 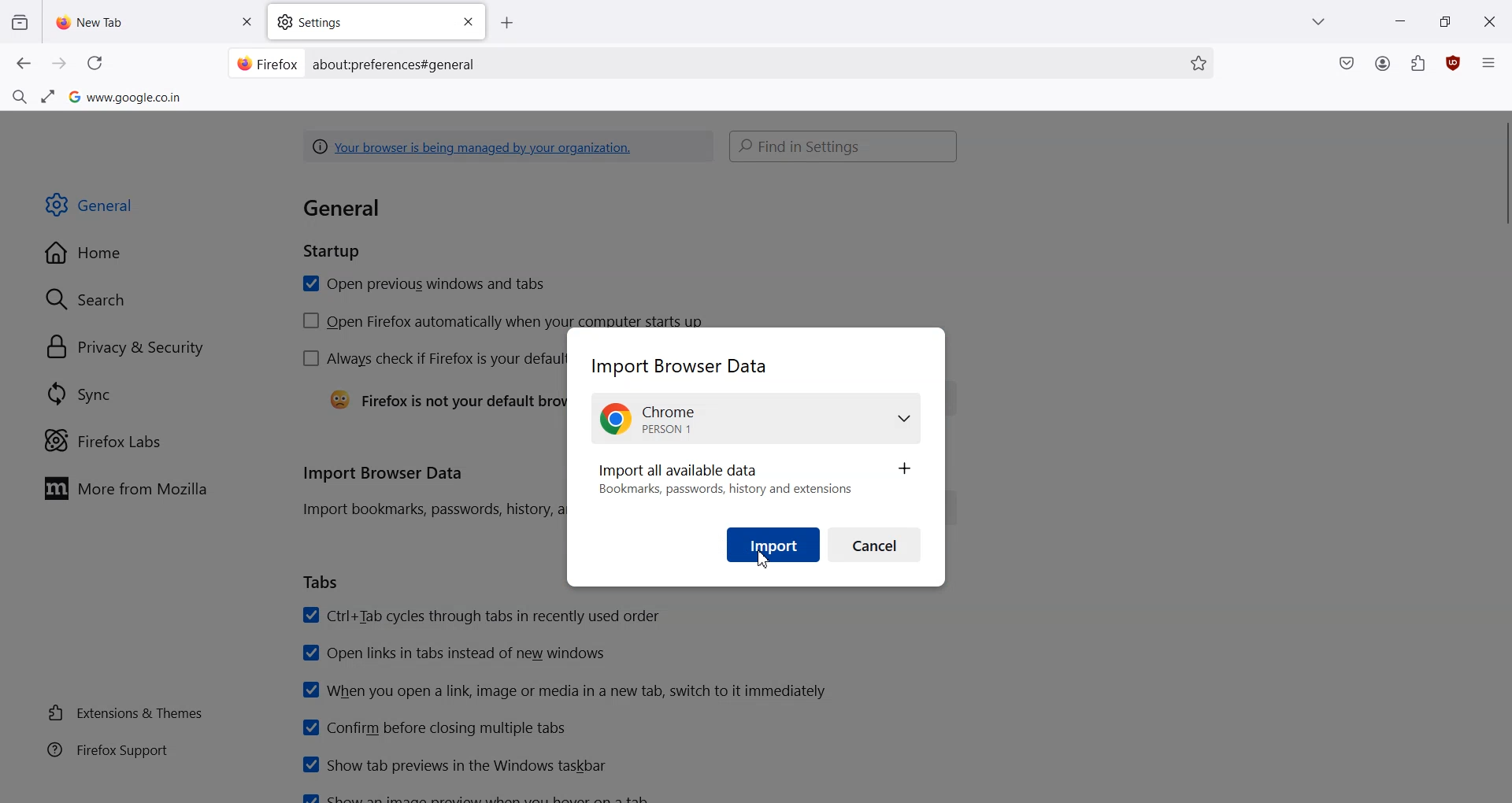 What do you see at coordinates (1444, 20) in the screenshot?
I see `Maximize` at bounding box center [1444, 20].